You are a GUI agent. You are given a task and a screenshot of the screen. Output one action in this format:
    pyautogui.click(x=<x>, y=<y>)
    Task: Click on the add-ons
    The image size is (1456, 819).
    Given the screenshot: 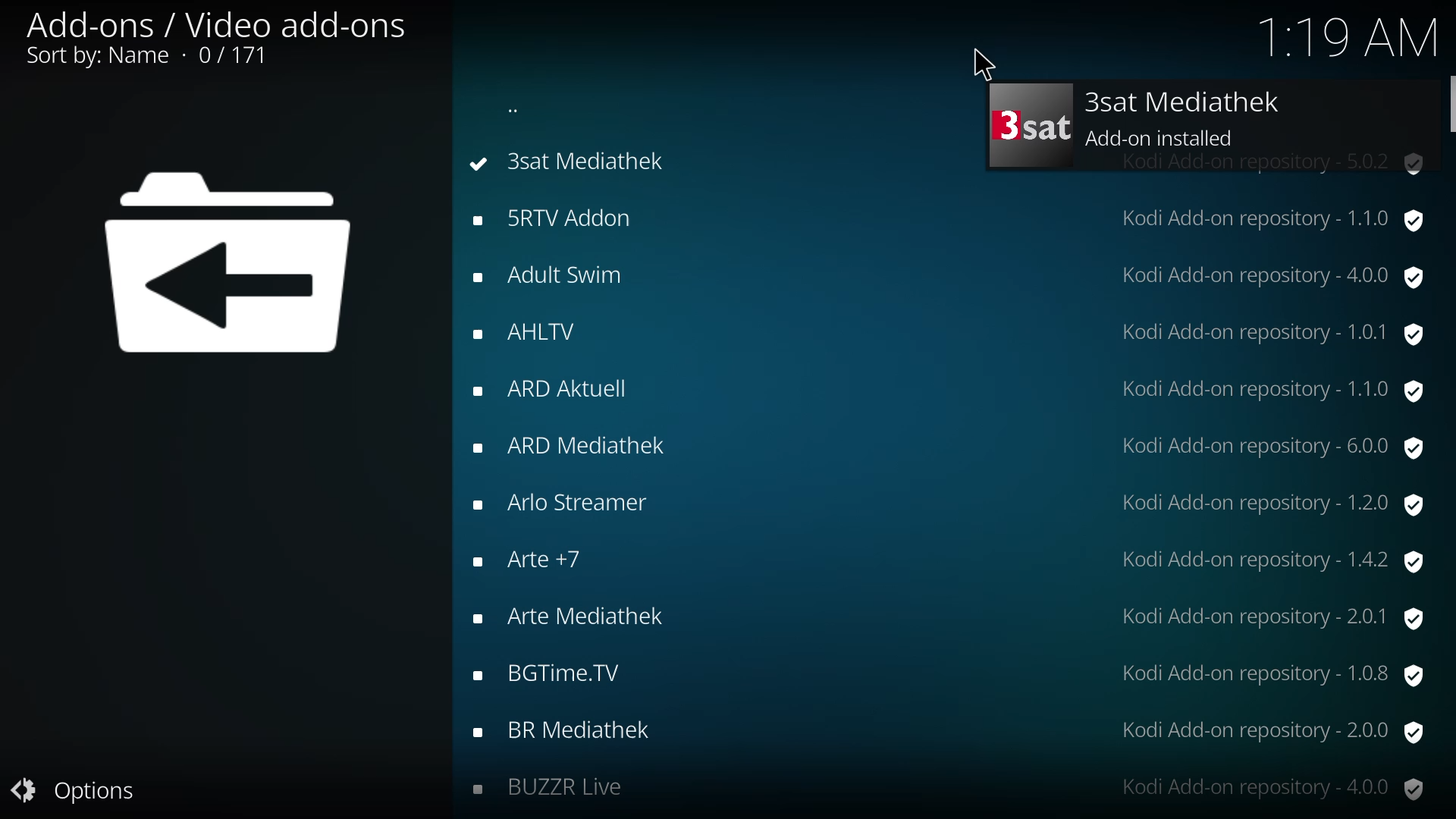 What is the action you would take?
    pyautogui.click(x=553, y=219)
    